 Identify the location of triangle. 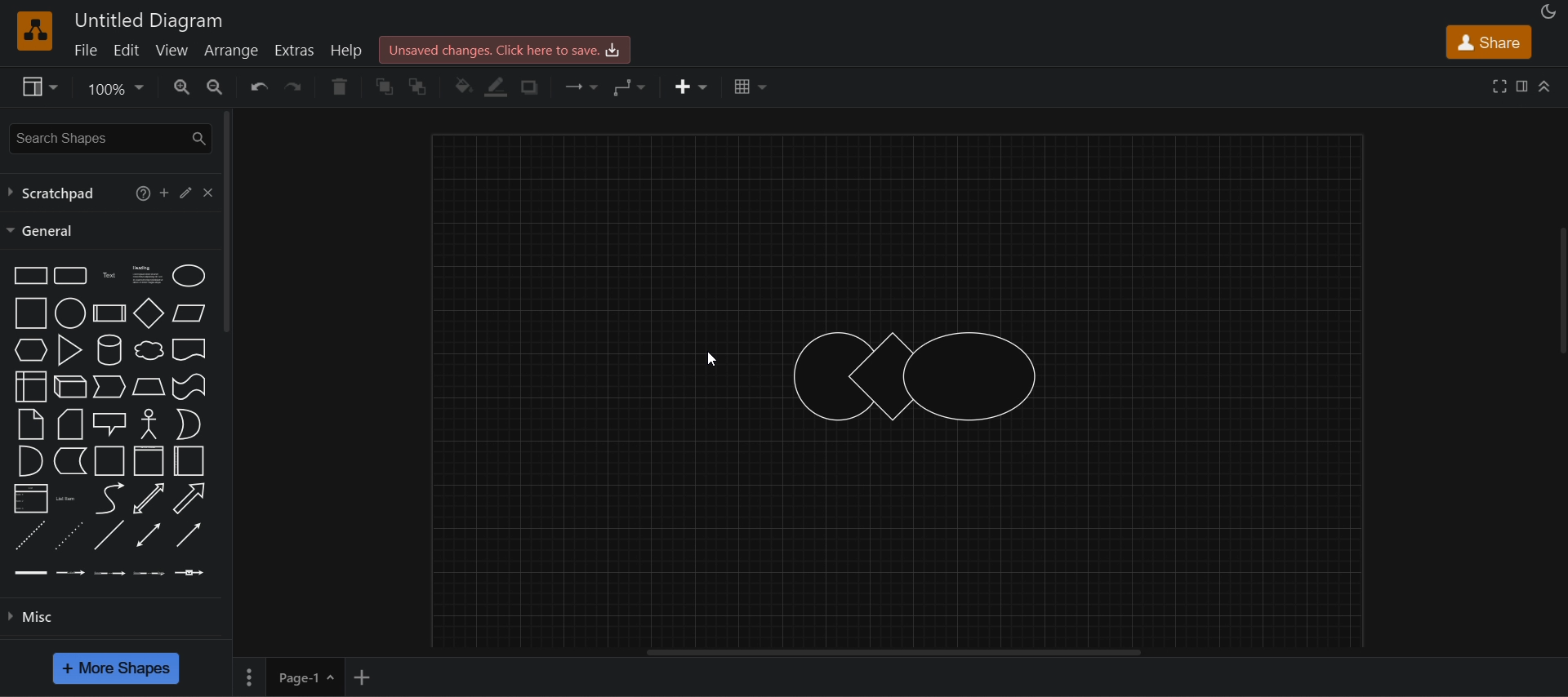
(68, 348).